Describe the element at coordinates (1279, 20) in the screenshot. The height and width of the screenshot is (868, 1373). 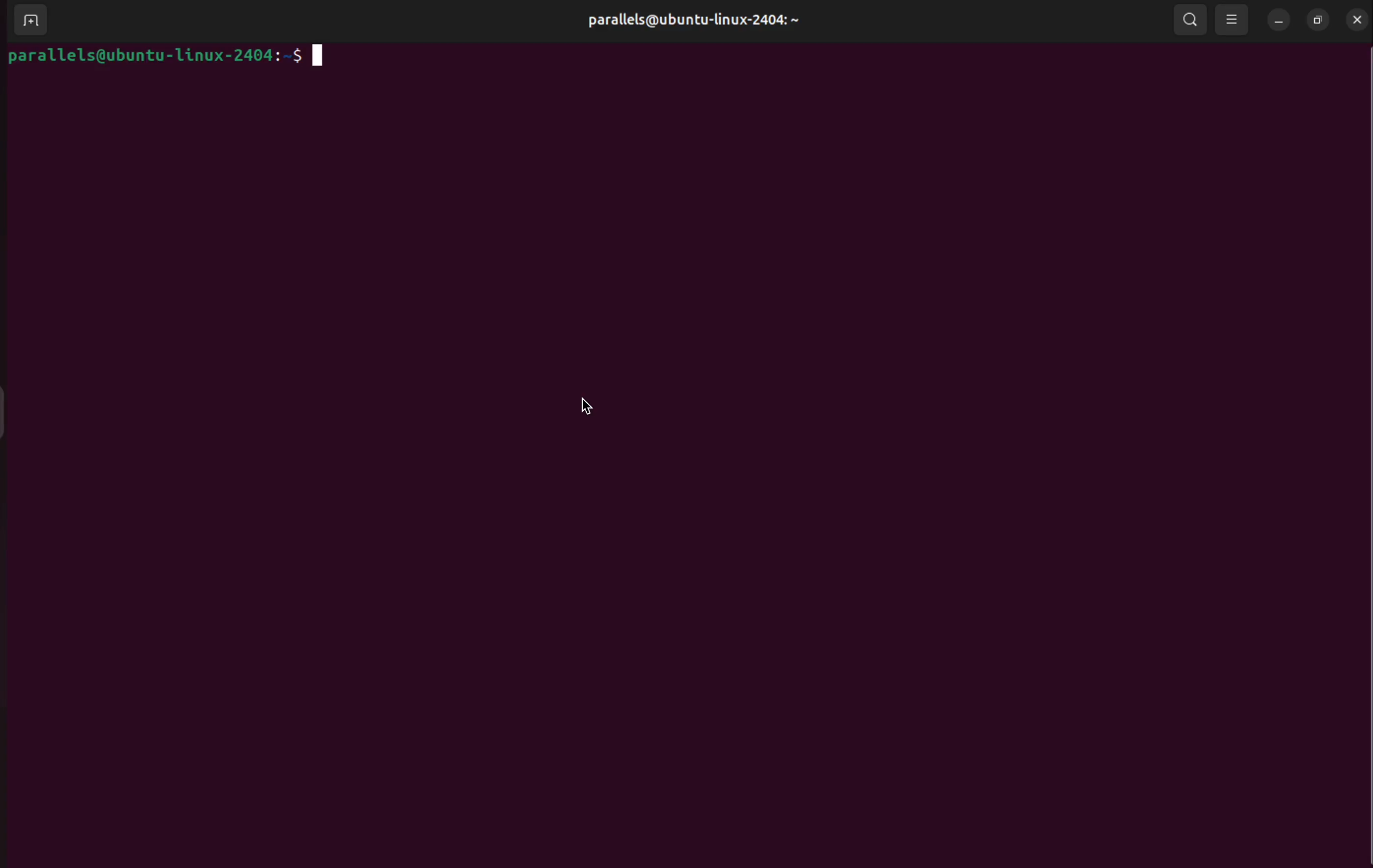
I see `minimize` at that location.